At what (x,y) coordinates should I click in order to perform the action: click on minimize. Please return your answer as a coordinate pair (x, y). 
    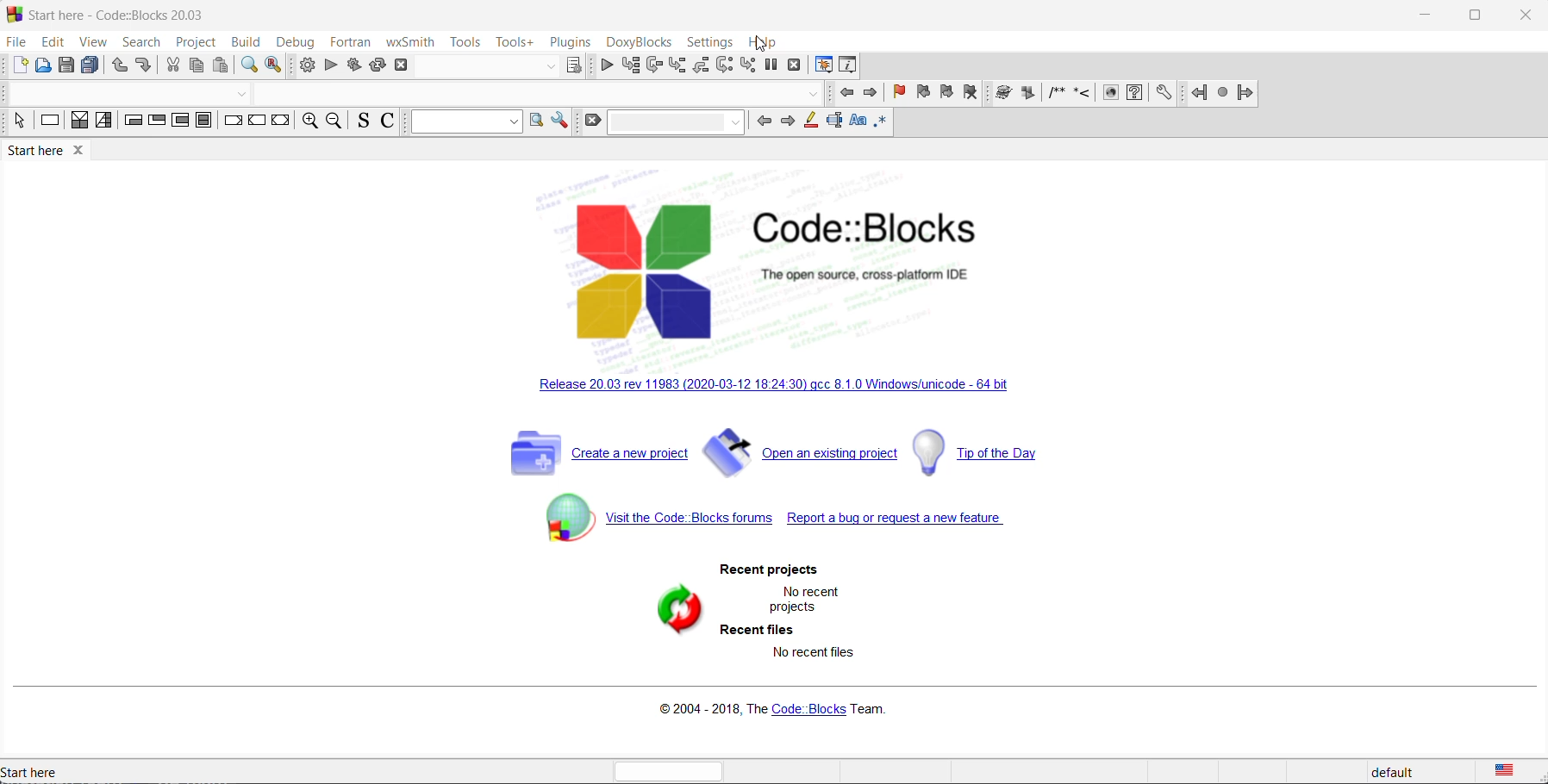
    Looking at the image, I should click on (1427, 15).